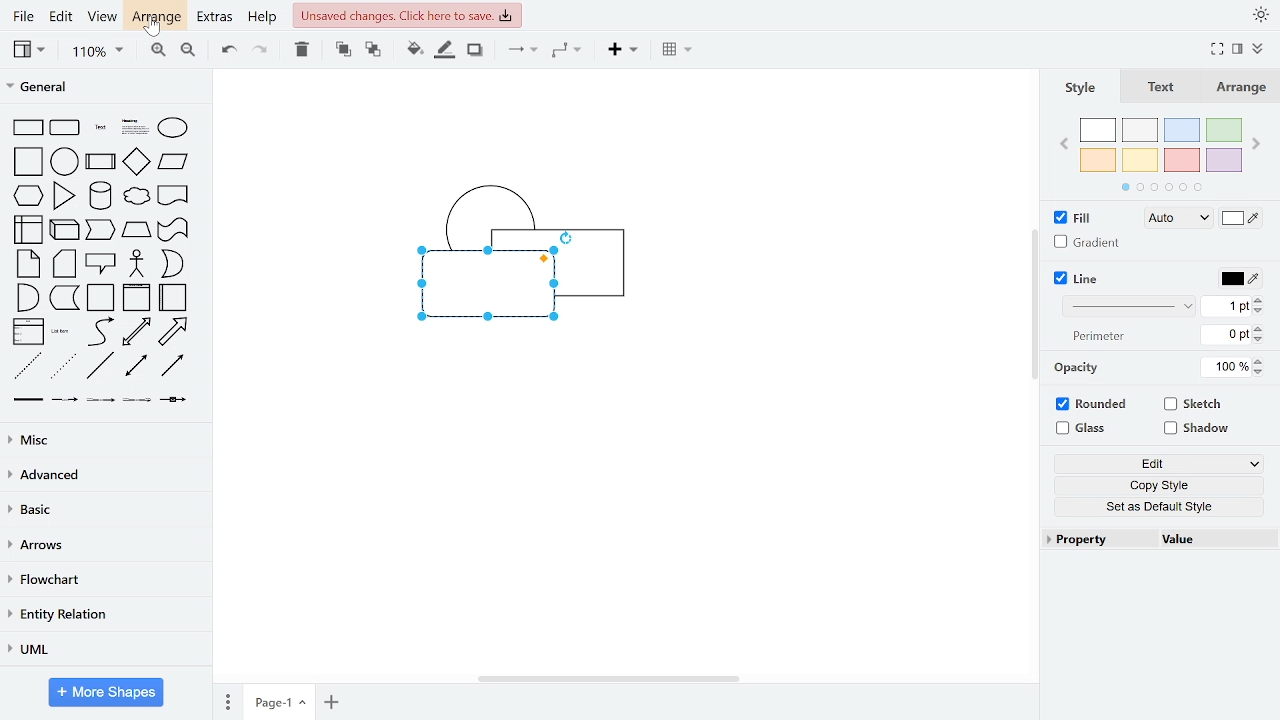 Image resolution: width=1280 pixels, height=720 pixels. Describe the element at coordinates (172, 333) in the screenshot. I see `arrow` at that location.